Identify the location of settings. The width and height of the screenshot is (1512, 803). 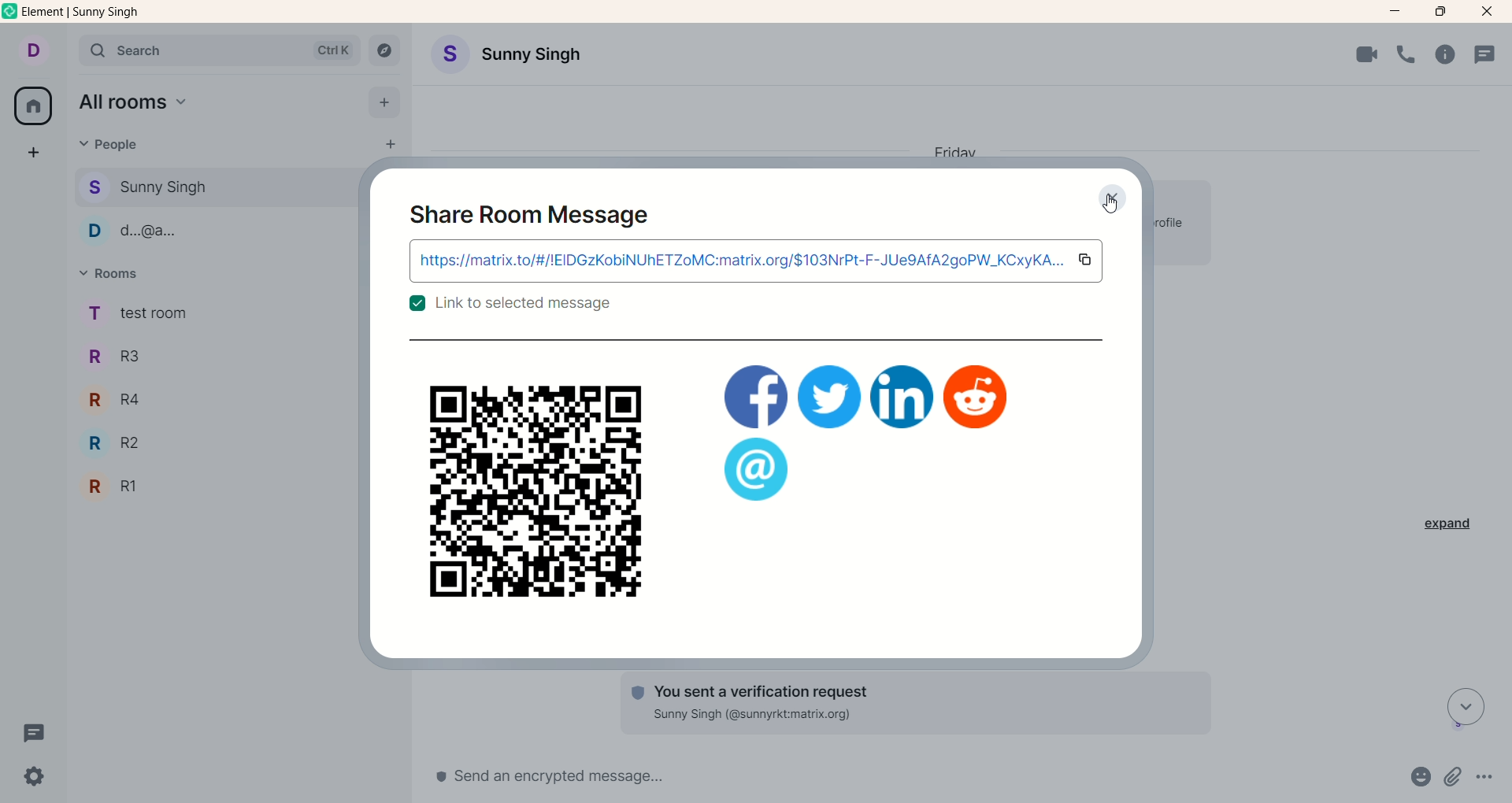
(40, 777).